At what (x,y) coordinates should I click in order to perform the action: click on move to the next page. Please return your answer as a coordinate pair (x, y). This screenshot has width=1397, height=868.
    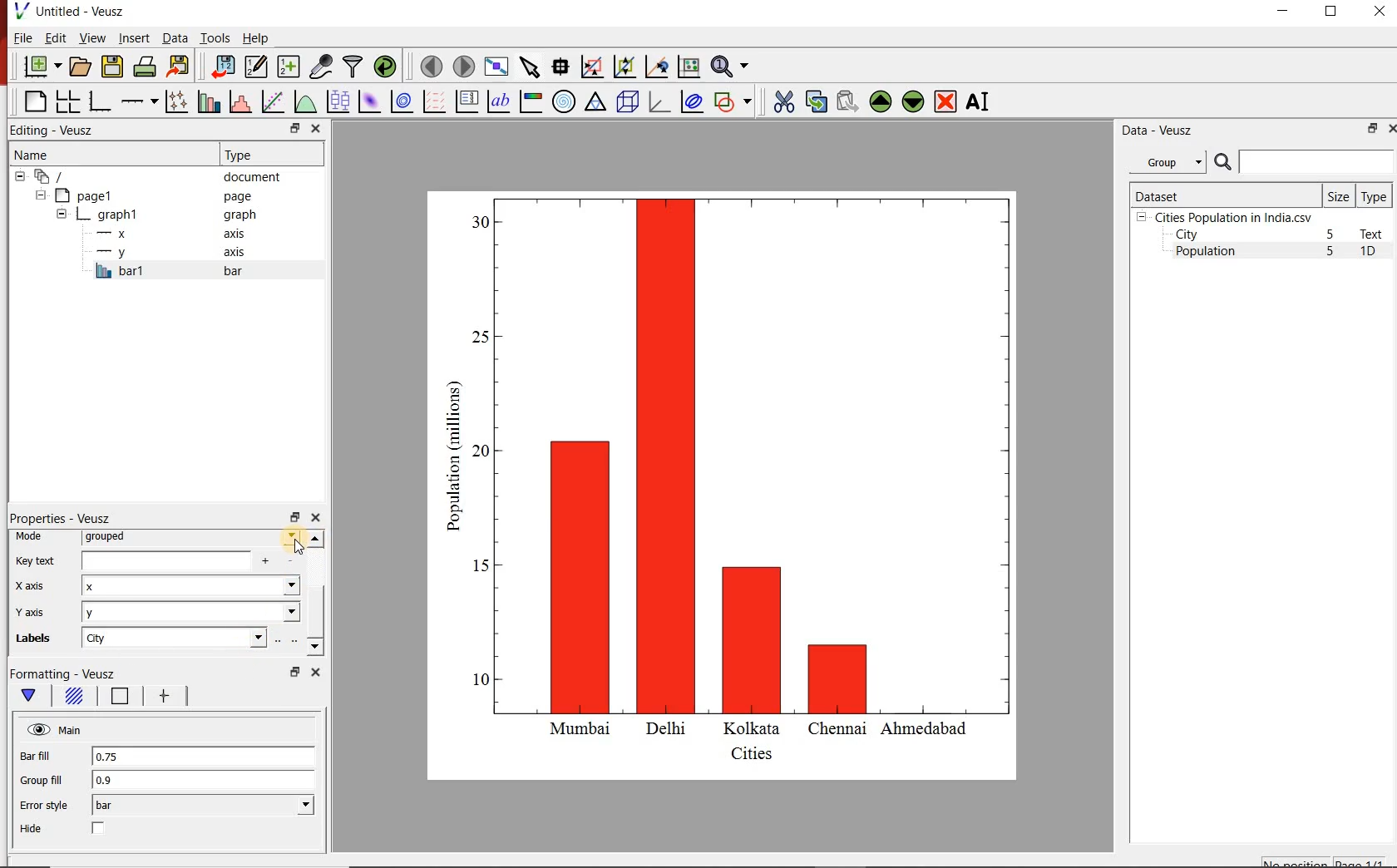
    Looking at the image, I should click on (462, 66).